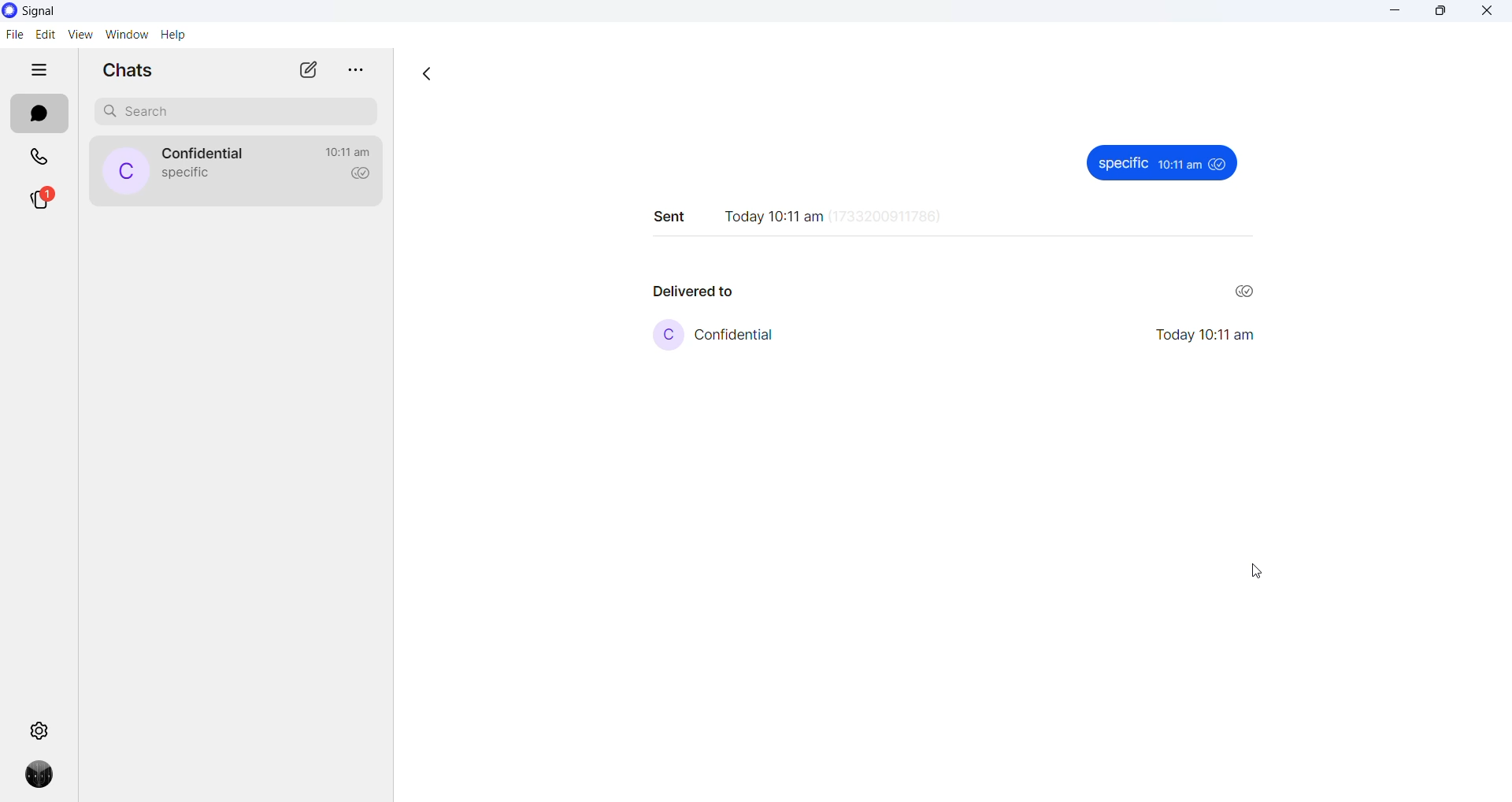 This screenshot has height=802, width=1512. What do you see at coordinates (205, 154) in the screenshot?
I see `contact name` at bounding box center [205, 154].